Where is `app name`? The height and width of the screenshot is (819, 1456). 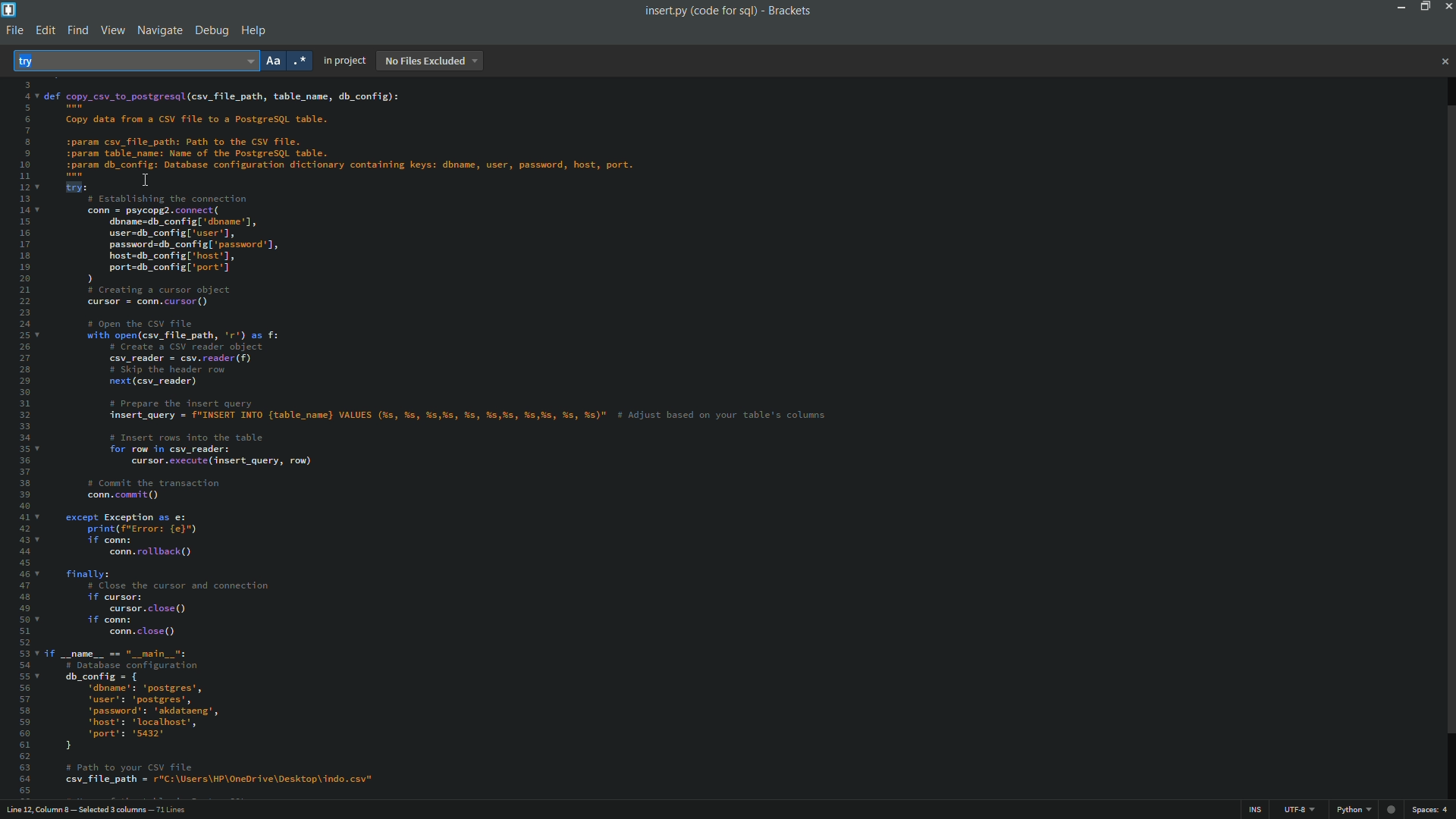 app name is located at coordinates (790, 11).